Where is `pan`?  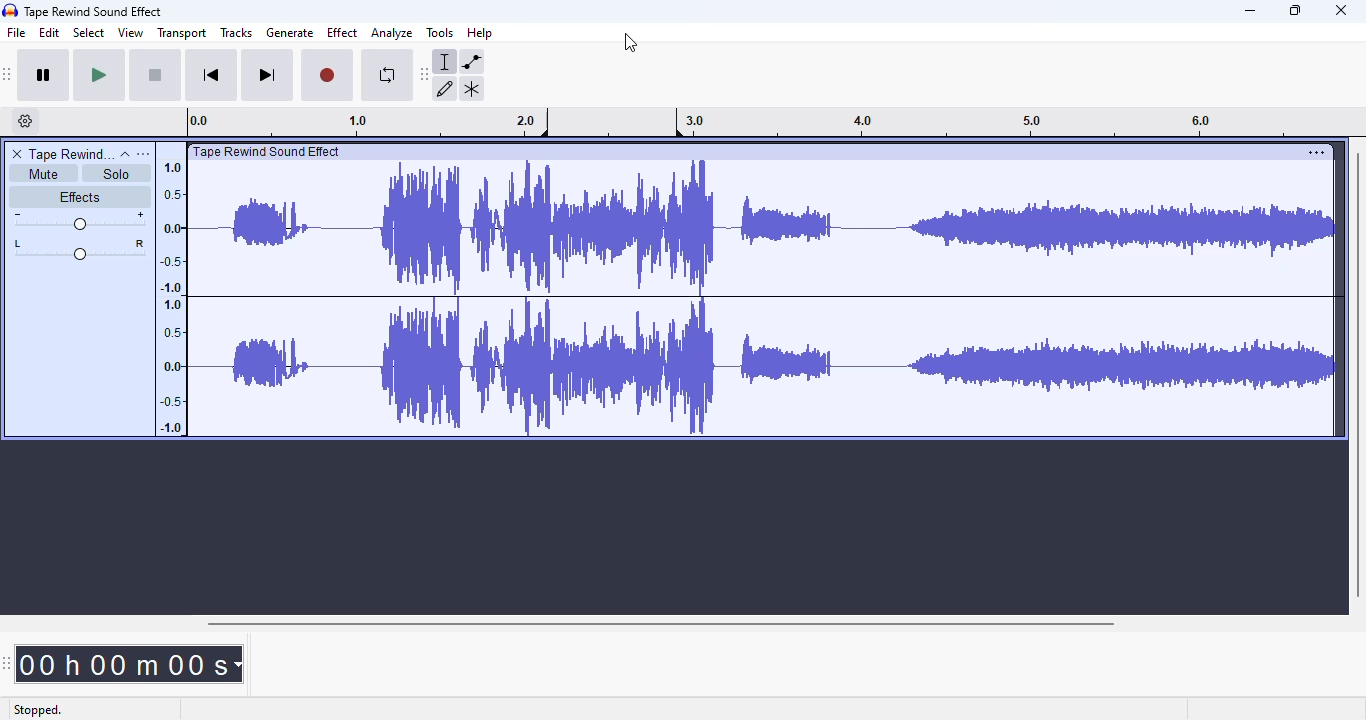 pan is located at coordinates (78, 251).